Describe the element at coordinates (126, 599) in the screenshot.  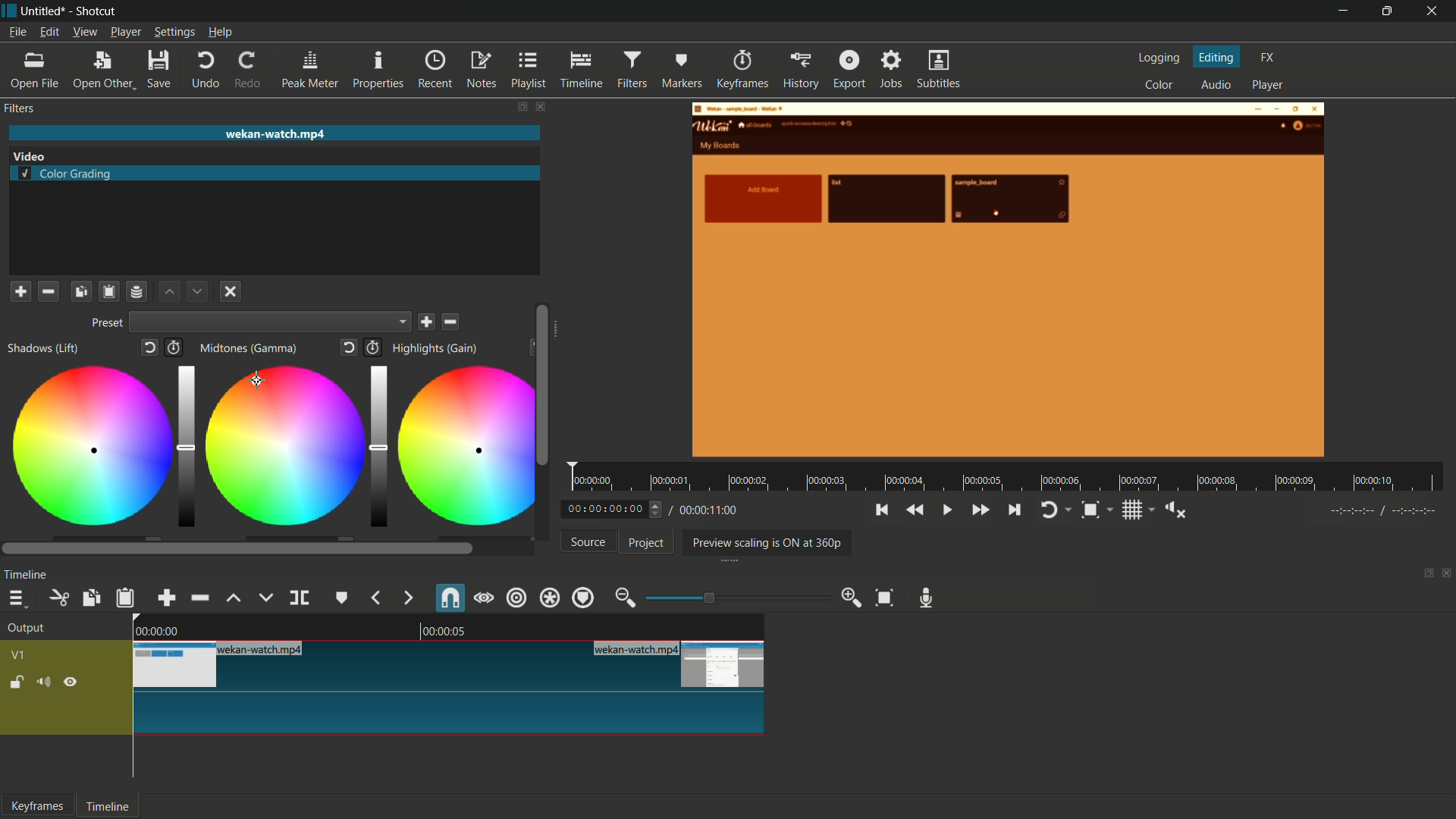
I see `paste` at that location.